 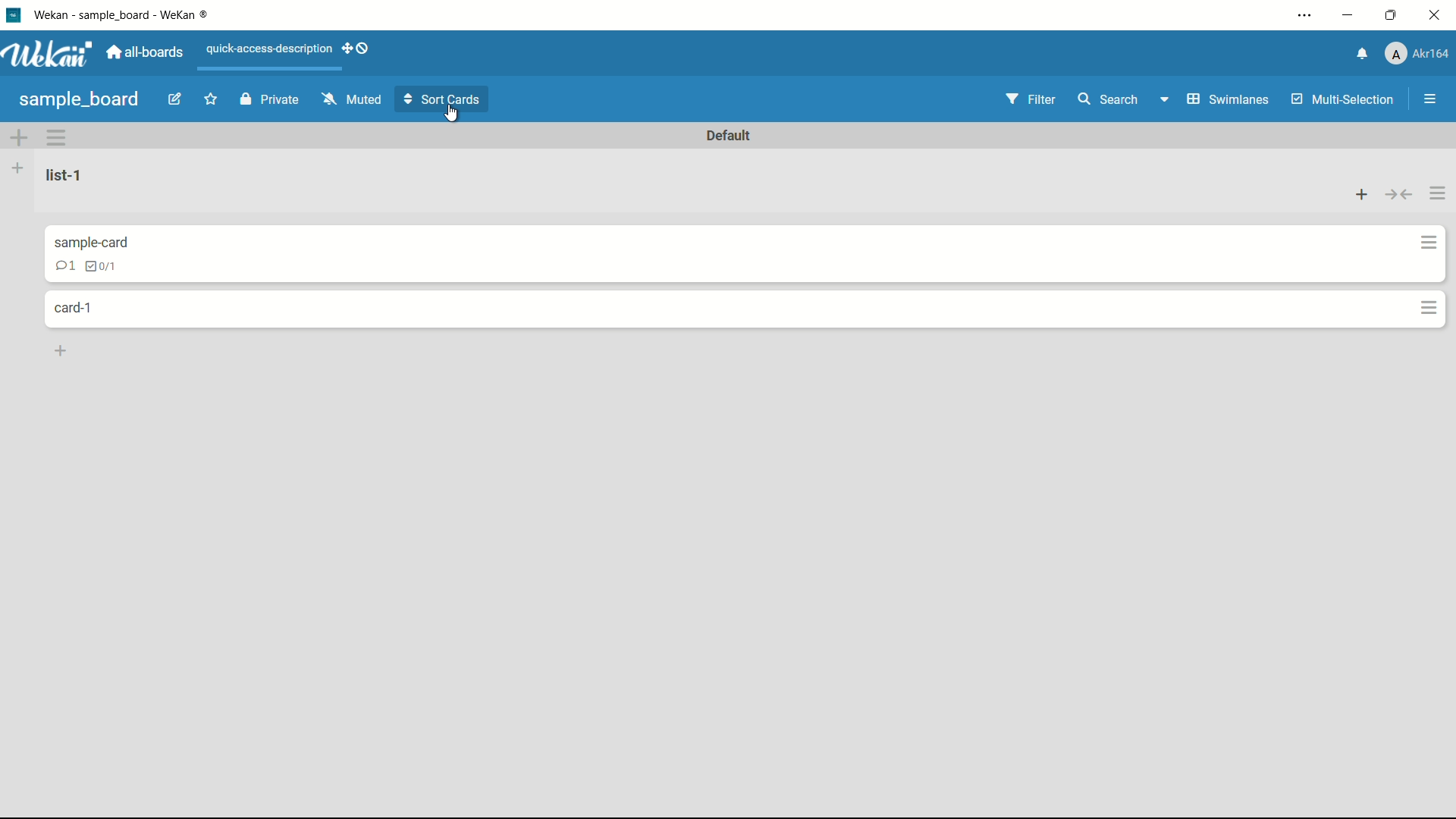 What do you see at coordinates (1031, 101) in the screenshot?
I see `filter` at bounding box center [1031, 101].